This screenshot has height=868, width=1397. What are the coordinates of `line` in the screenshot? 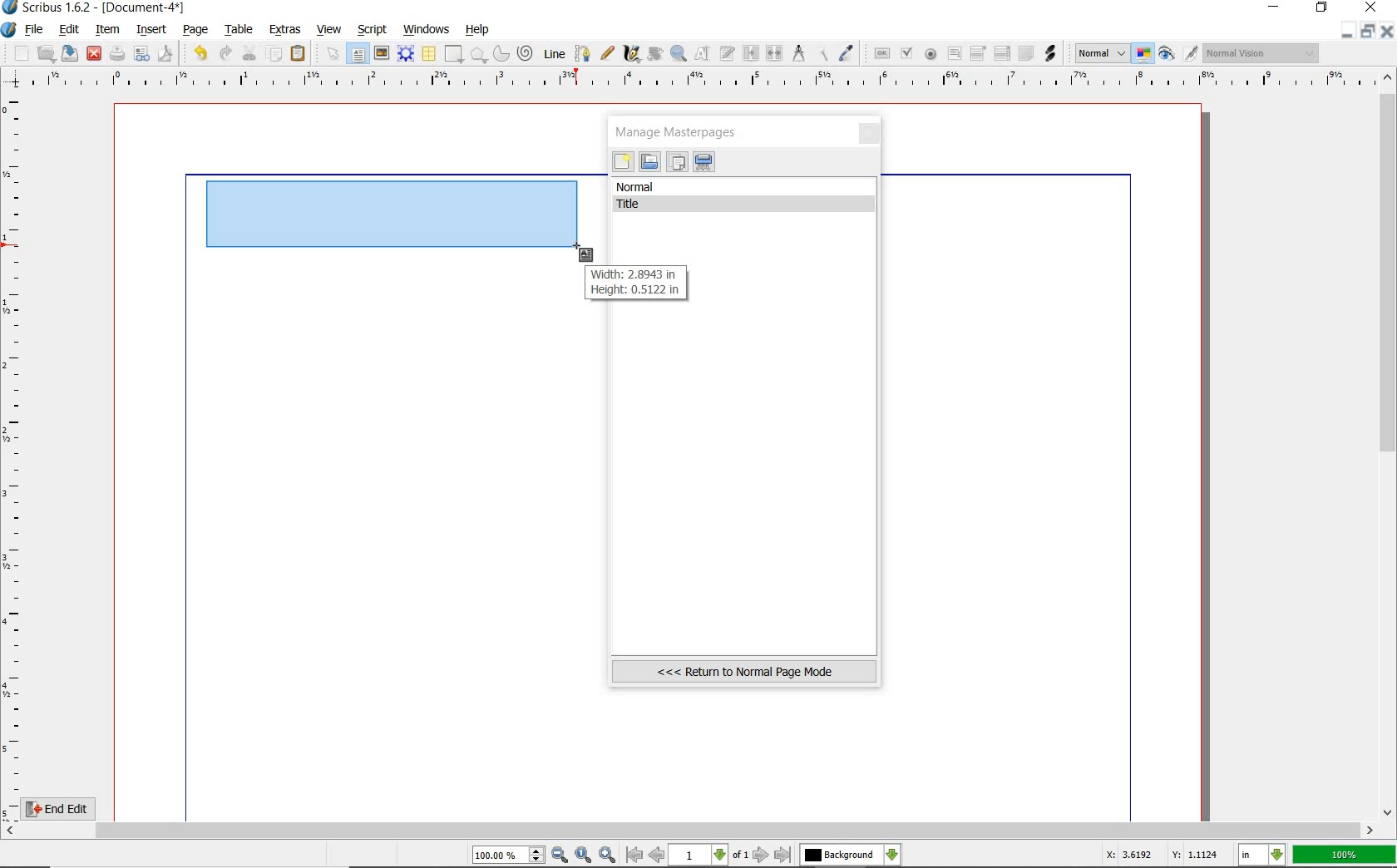 It's located at (553, 53).